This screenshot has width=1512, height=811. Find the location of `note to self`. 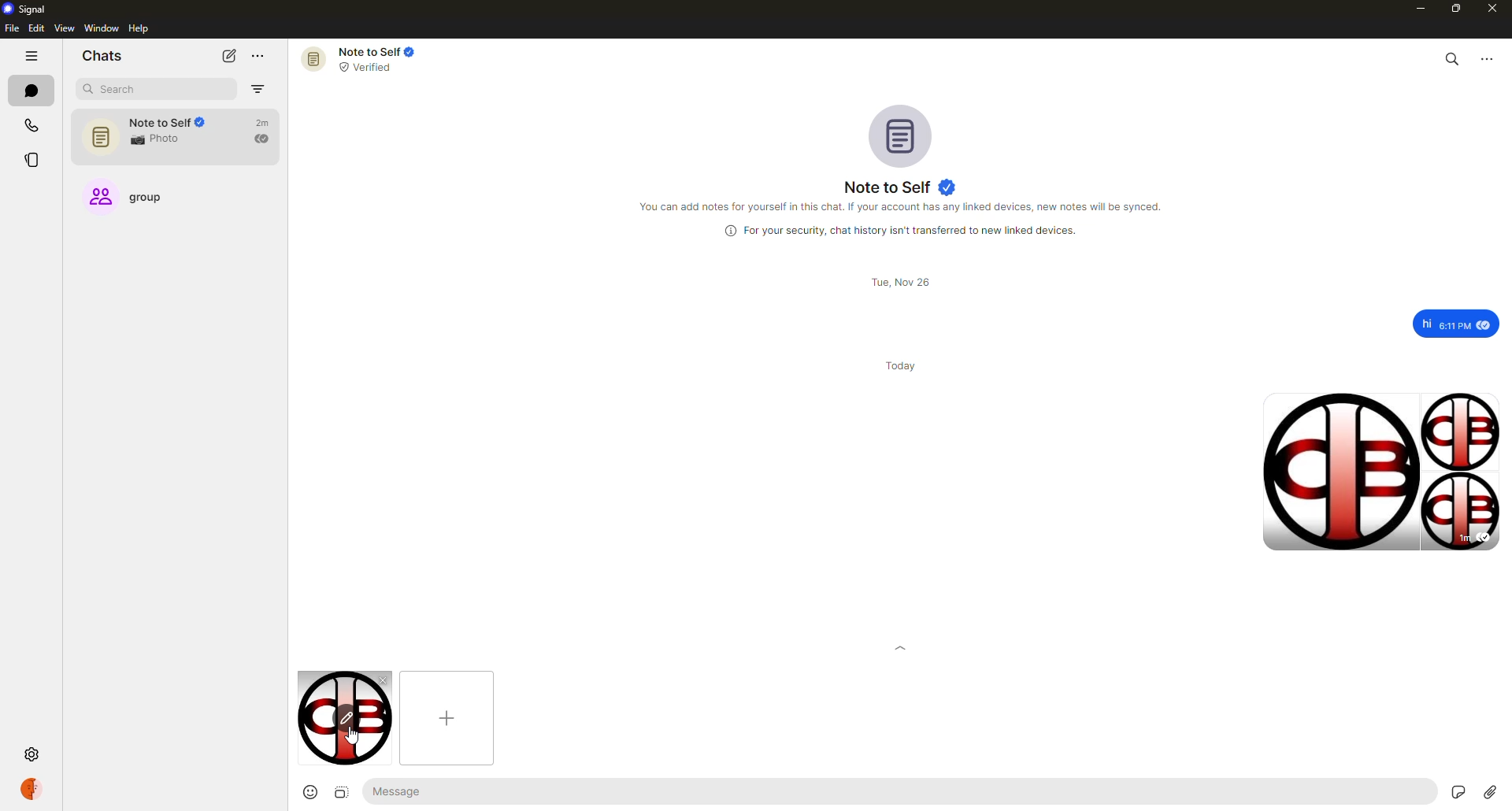

note to self is located at coordinates (371, 58).